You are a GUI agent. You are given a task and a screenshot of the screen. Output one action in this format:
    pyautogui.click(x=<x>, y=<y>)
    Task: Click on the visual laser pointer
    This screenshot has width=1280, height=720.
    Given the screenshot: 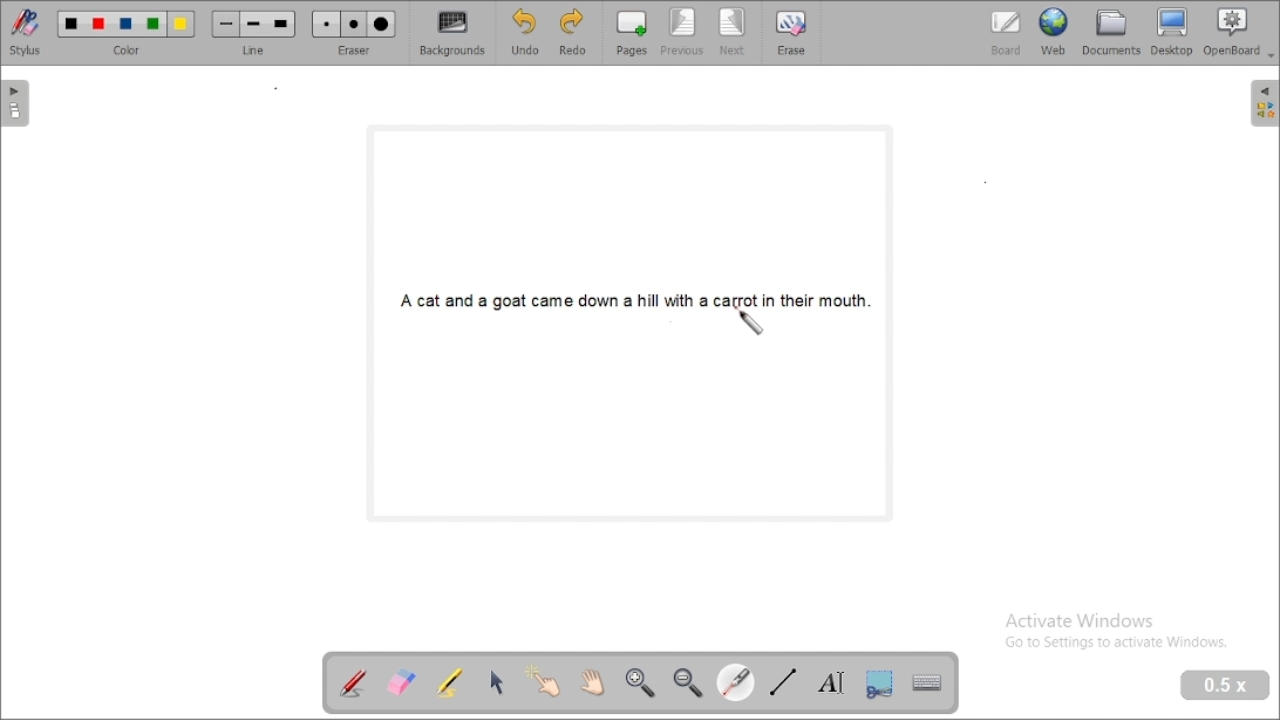 What is the action you would take?
    pyautogui.click(x=735, y=681)
    